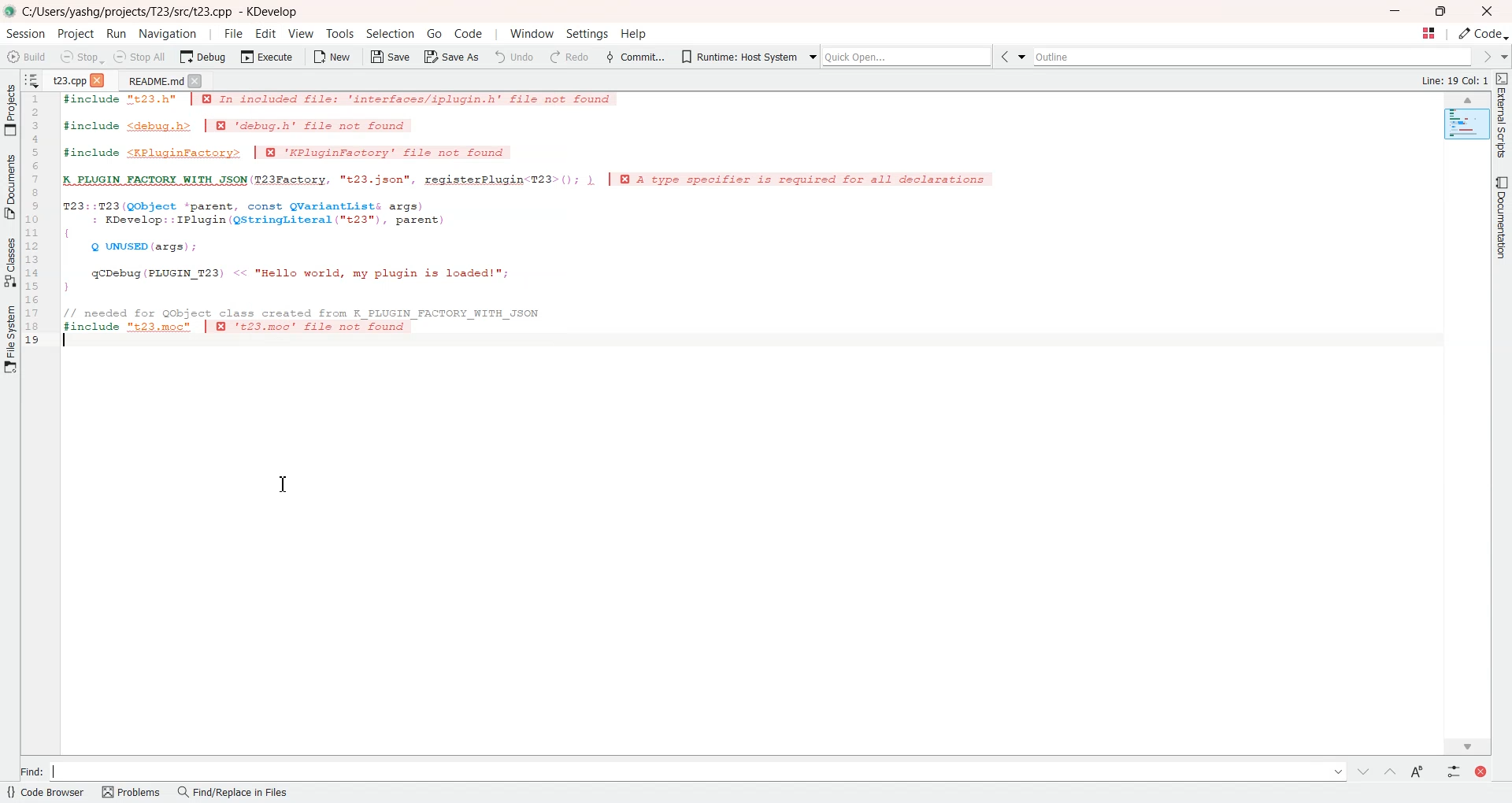 The height and width of the screenshot is (803, 1512). I want to click on Debug, so click(202, 57).